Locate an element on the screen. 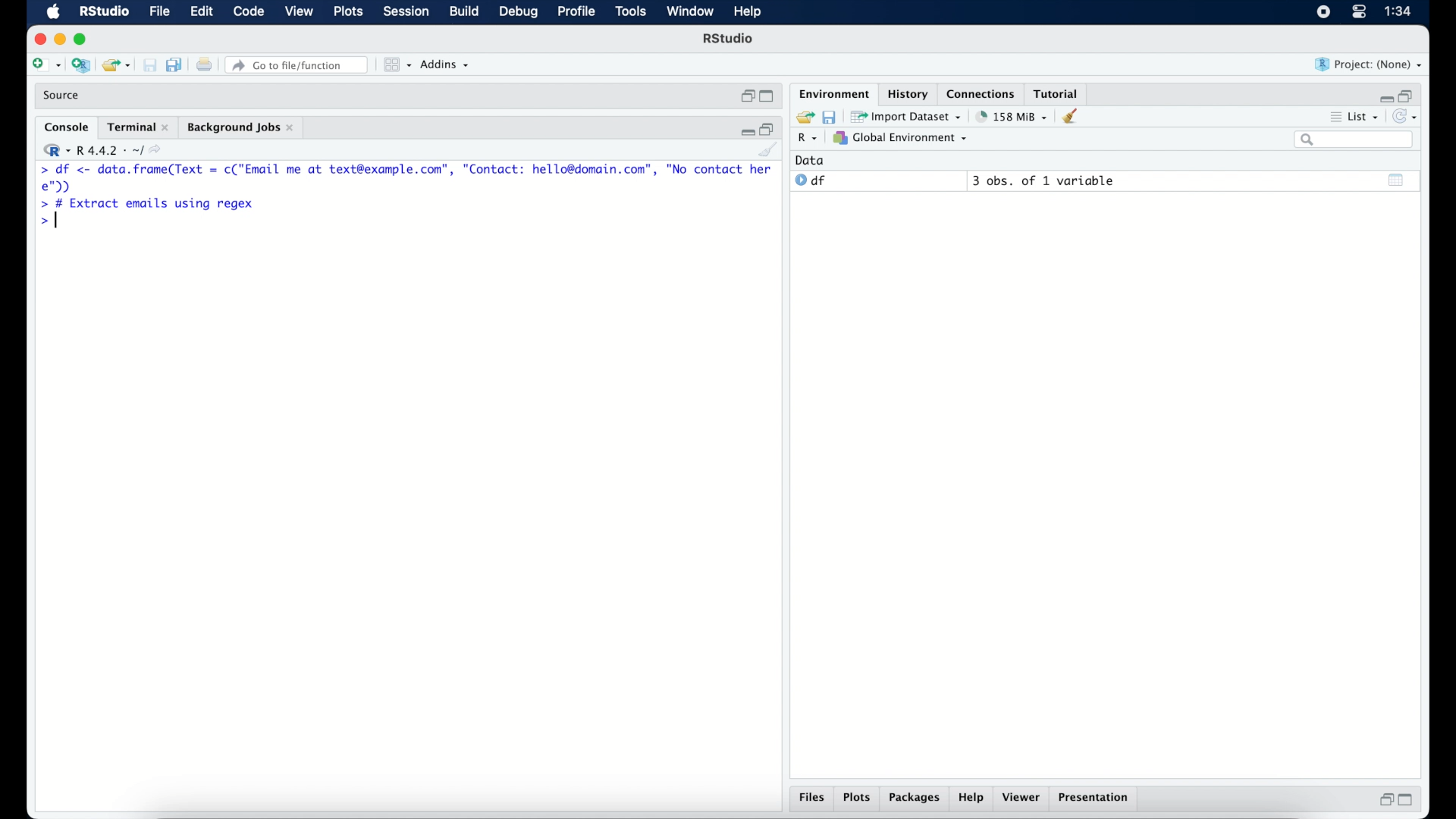 The image size is (1456, 819). tools is located at coordinates (629, 12).